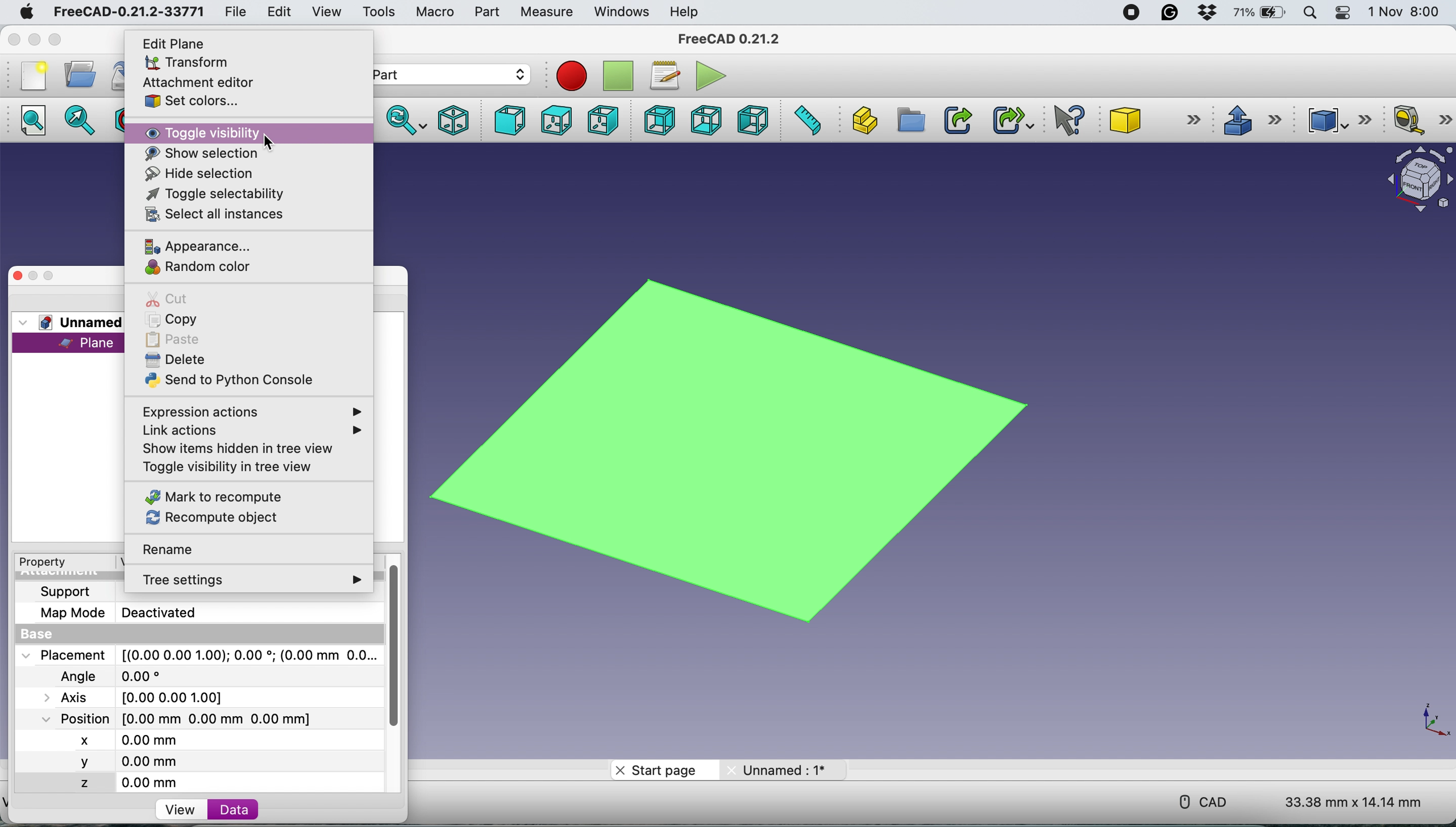  Describe the element at coordinates (128, 742) in the screenshot. I see `x 0.00 mm` at that location.